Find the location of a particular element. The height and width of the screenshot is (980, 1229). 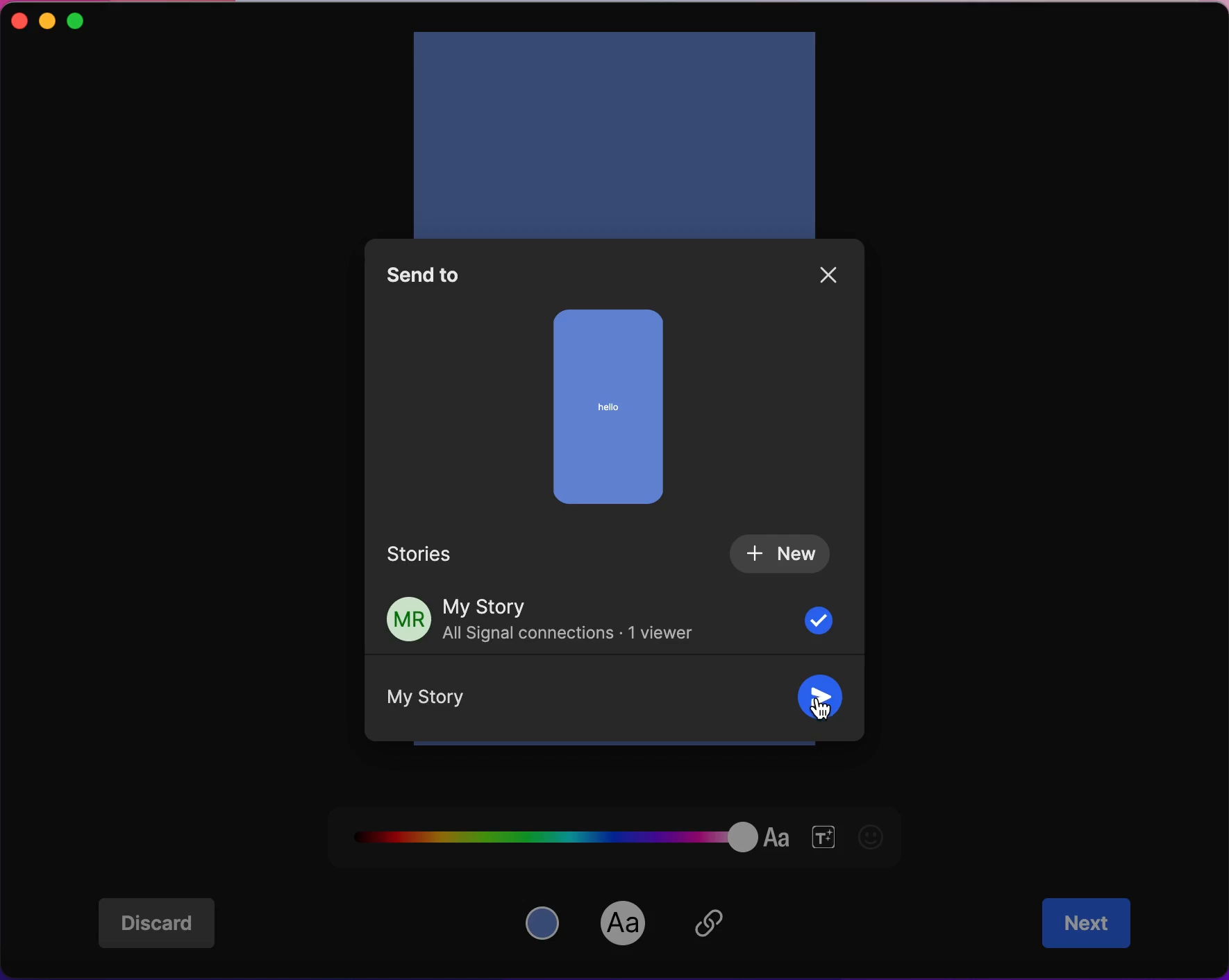

close is located at coordinates (17, 22).